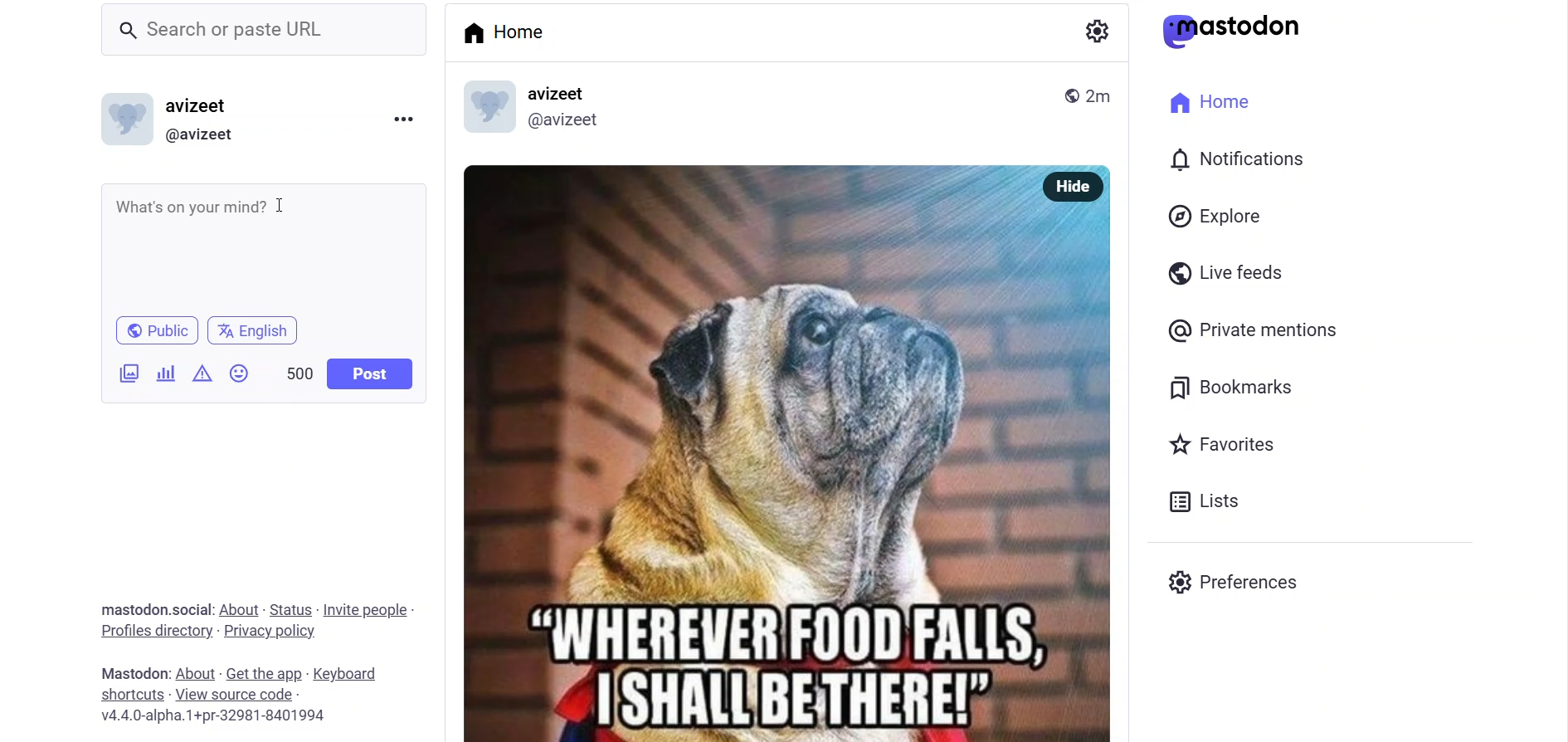 Image resolution: width=1568 pixels, height=742 pixels. What do you see at coordinates (130, 694) in the screenshot?
I see `shortcut` at bounding box center [130, 694].